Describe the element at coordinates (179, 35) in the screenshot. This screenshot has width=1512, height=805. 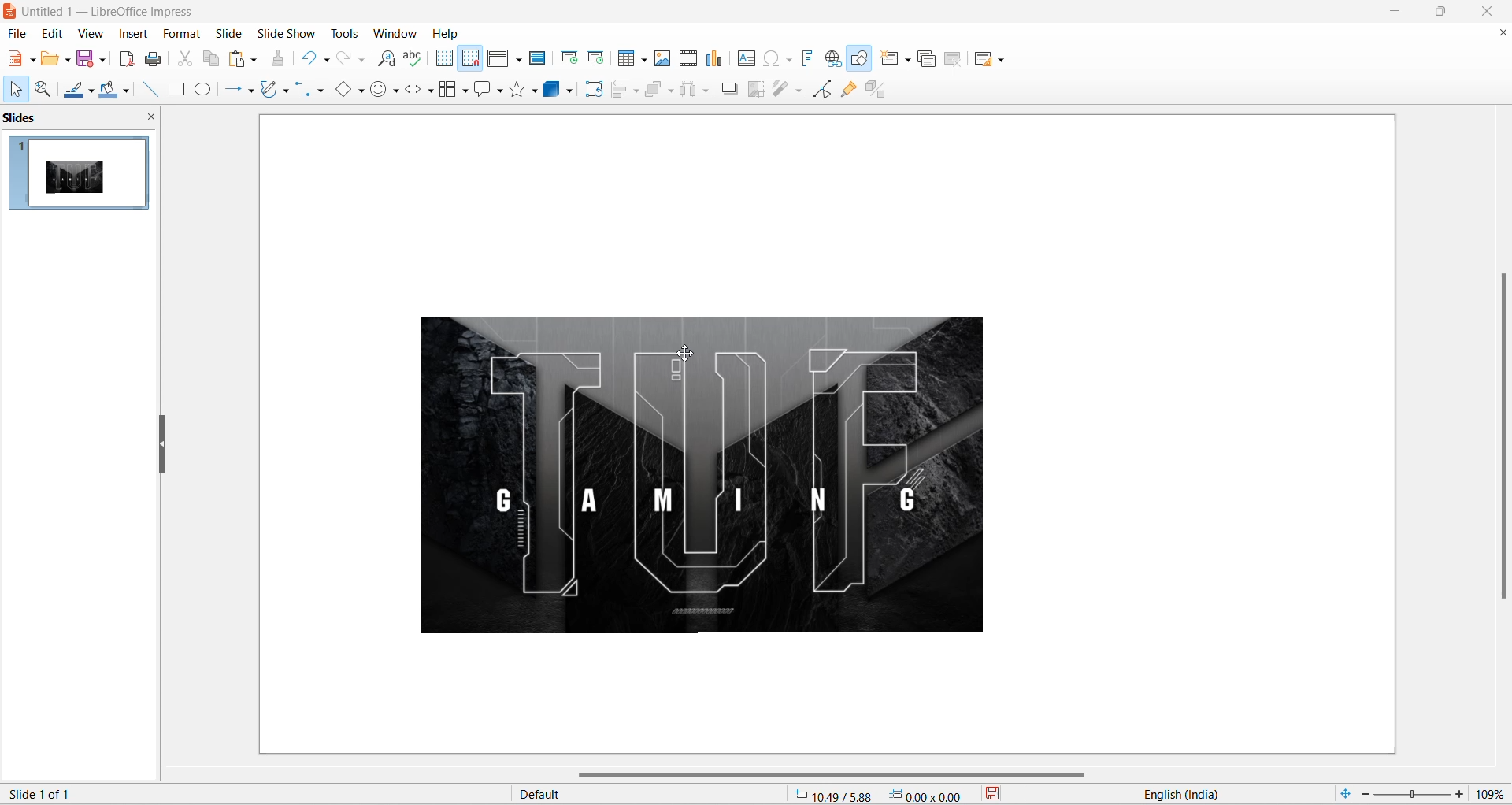
I see `format` at that location.